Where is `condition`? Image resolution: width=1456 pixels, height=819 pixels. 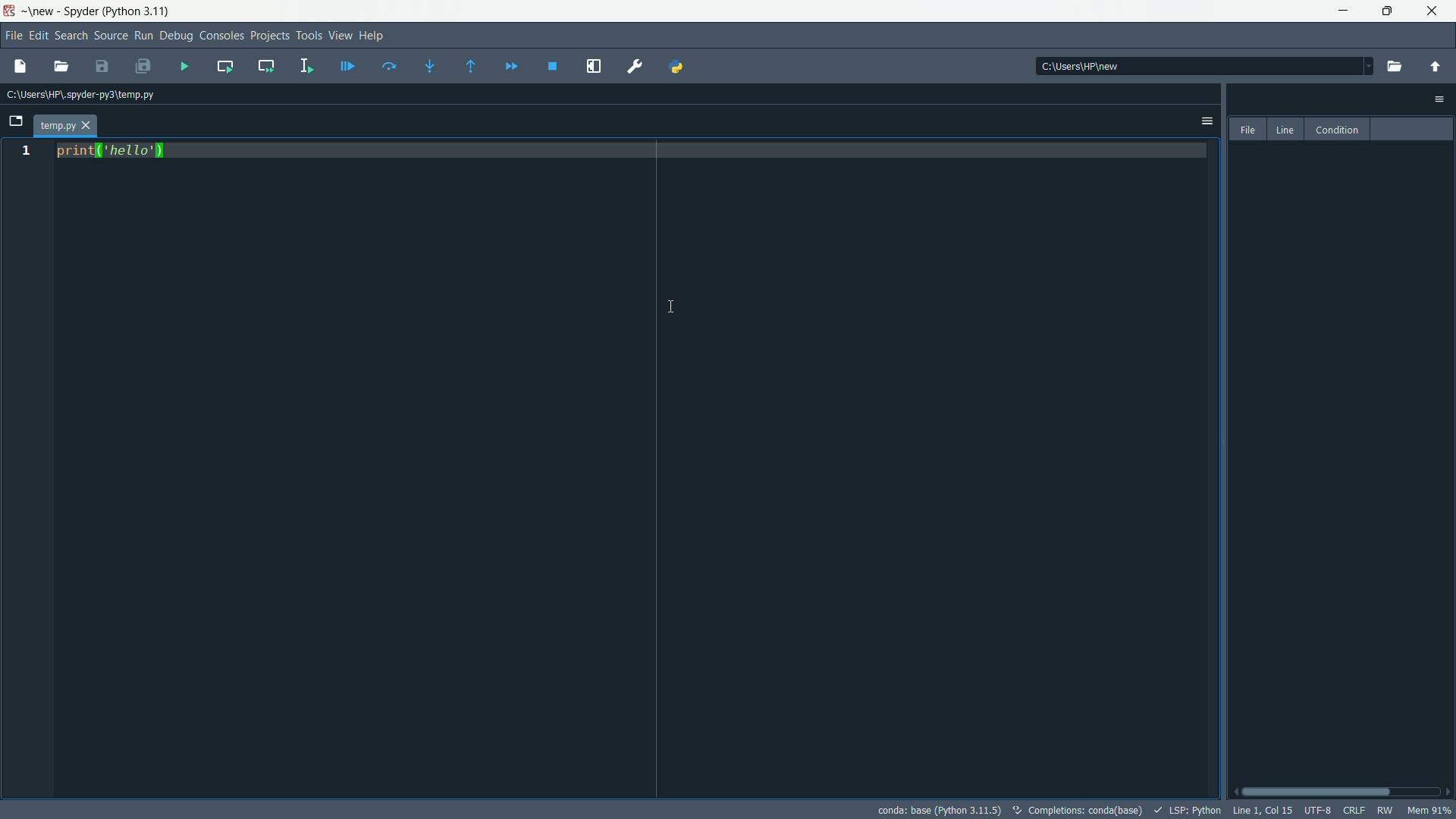
condition is located at coordinates (1337, 130).